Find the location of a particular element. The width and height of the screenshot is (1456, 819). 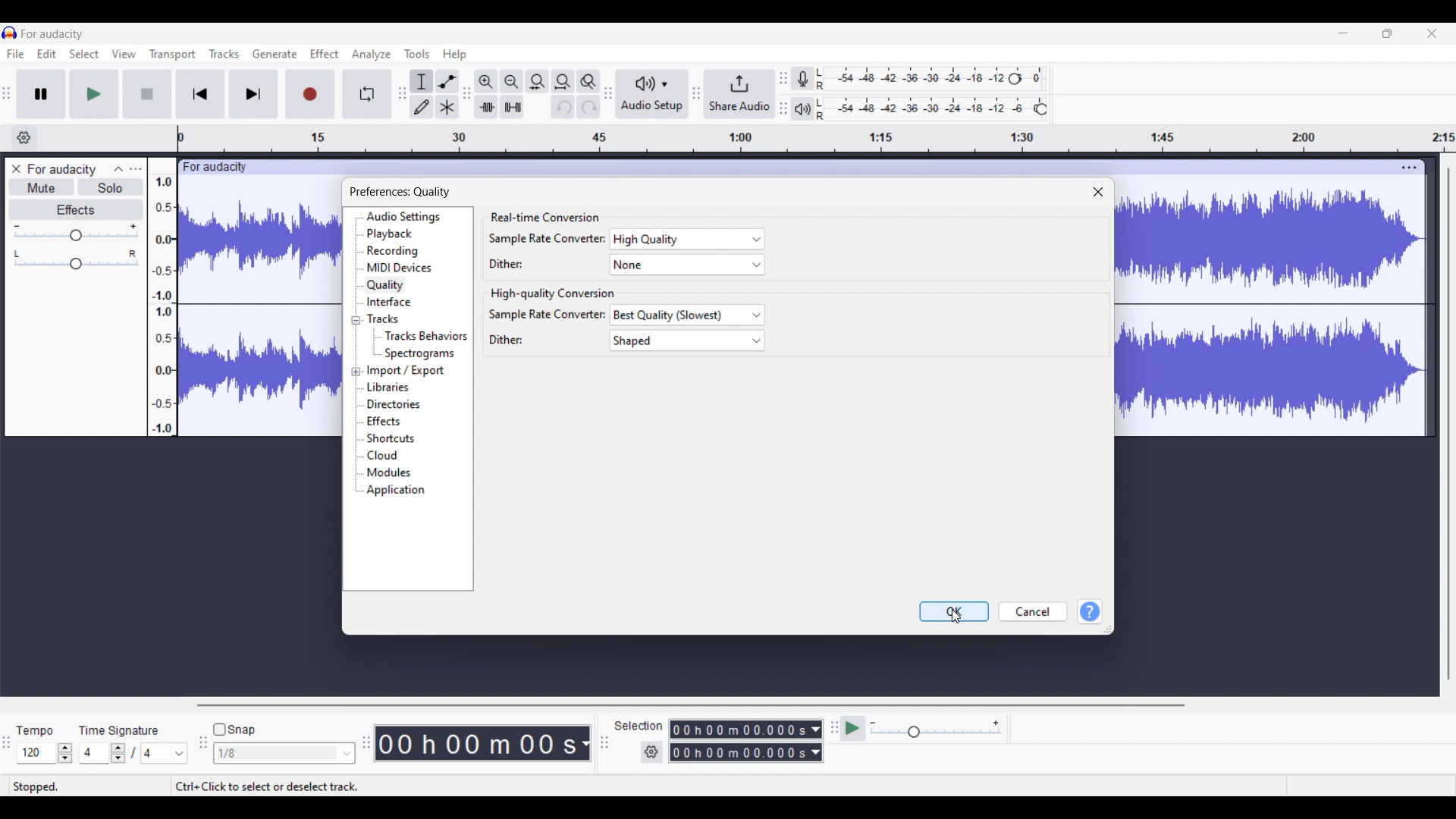

Input tempo is located at coordinates (36, 753).